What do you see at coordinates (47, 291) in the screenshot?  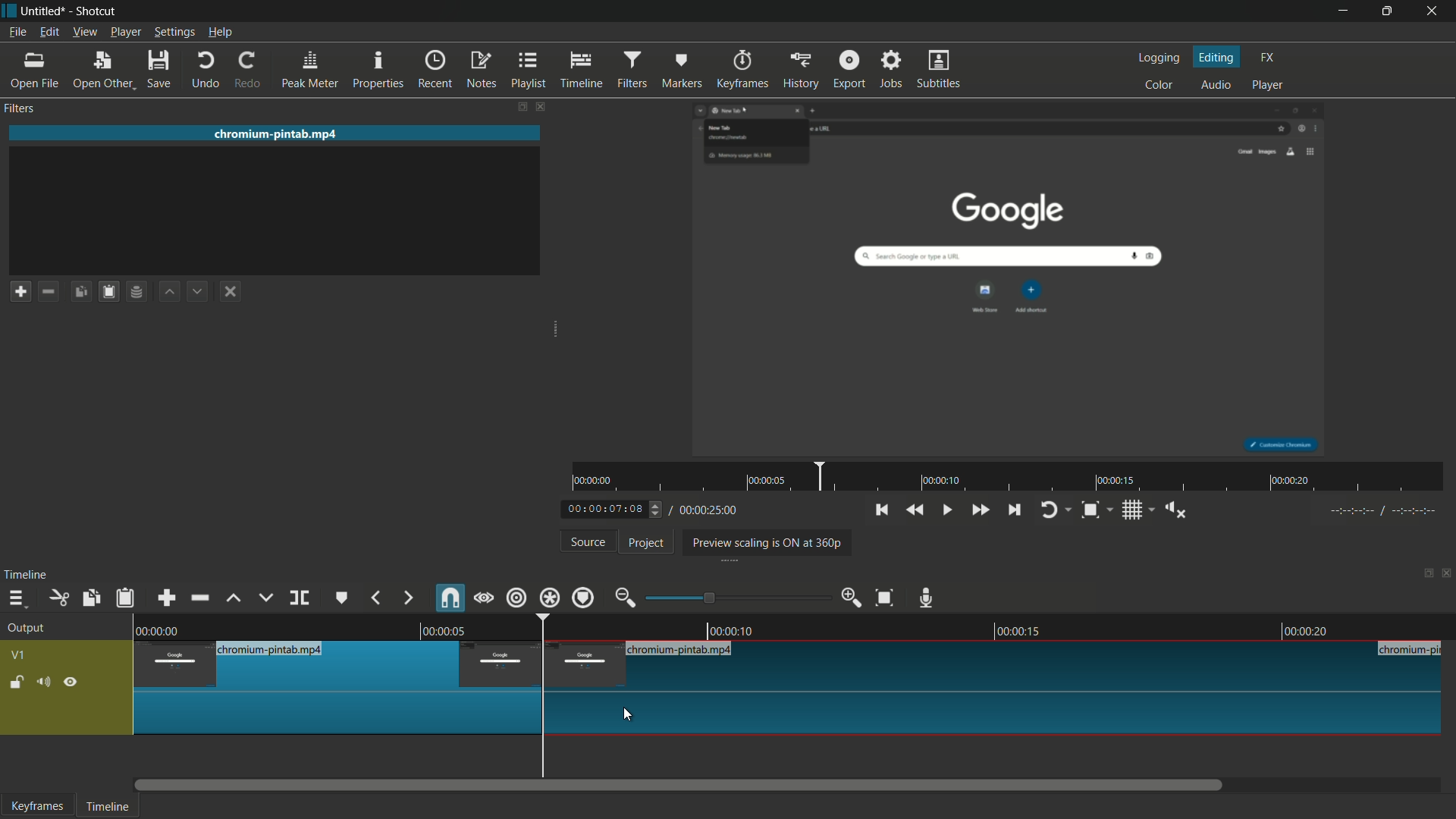 I see `remove a filter` at bounding box center [47, 291].